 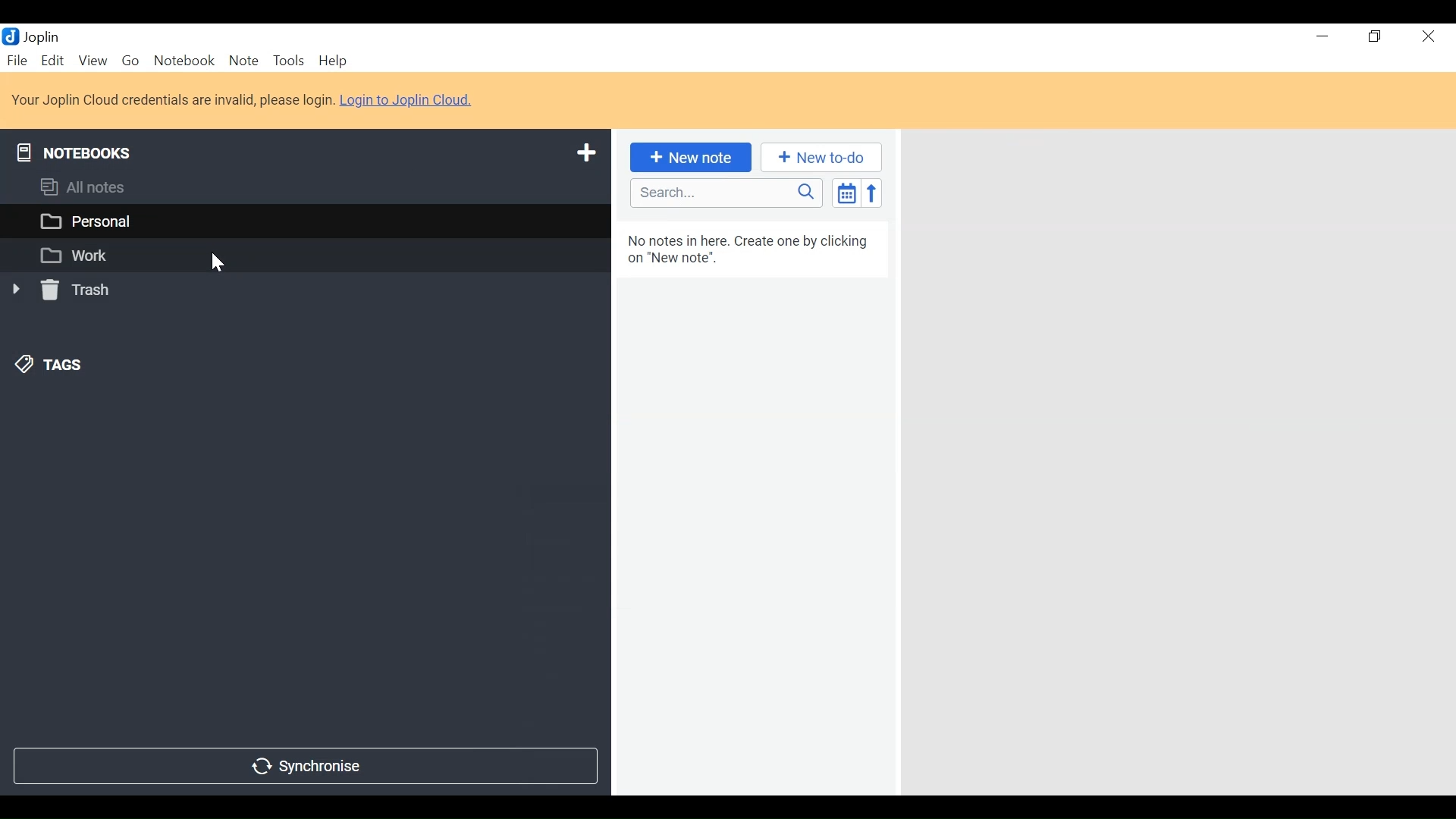 I want to click on Toggle sort order field, so click(x=846, y=192).